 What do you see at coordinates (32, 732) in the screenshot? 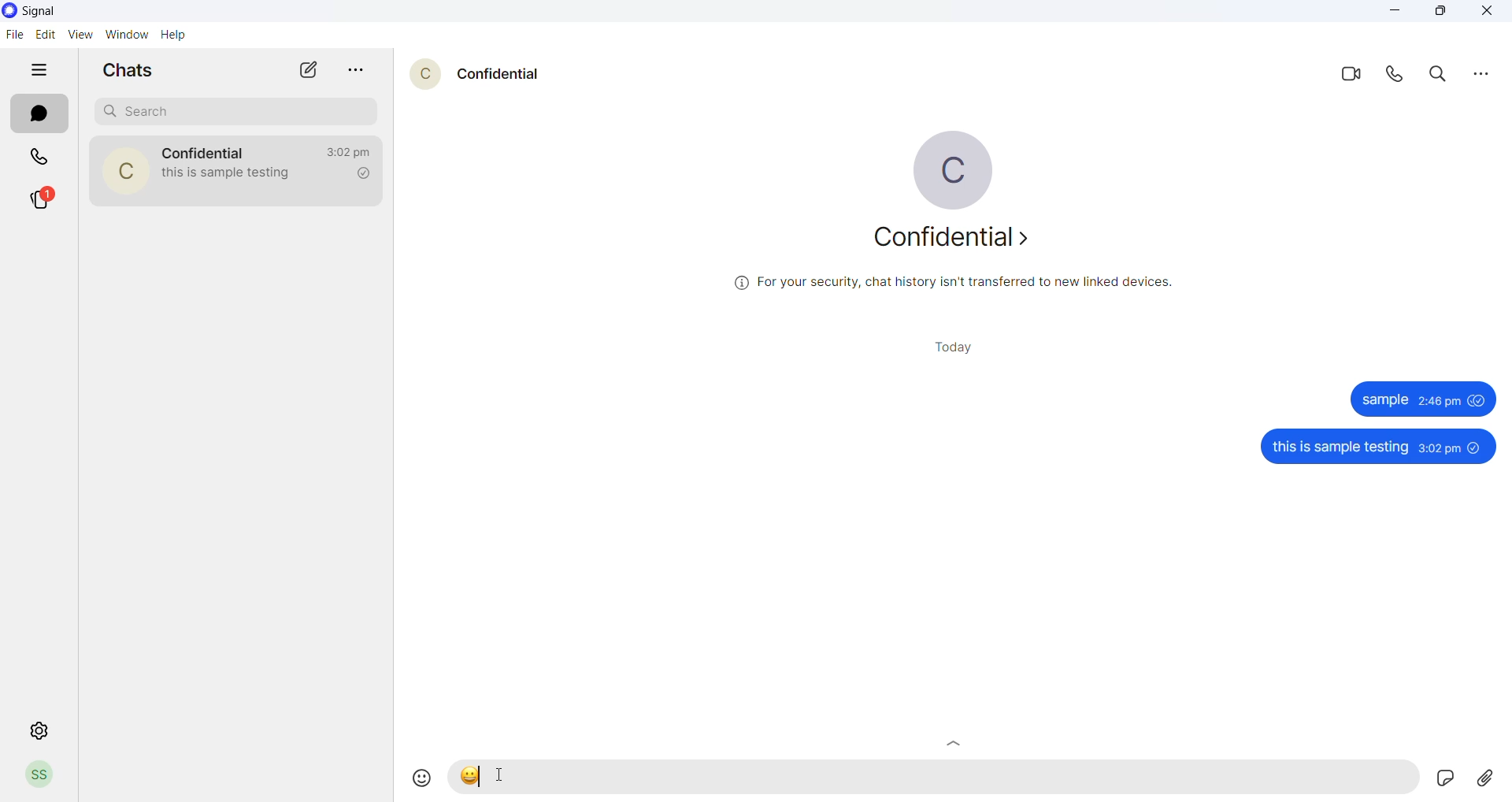
I see `settings` at bounding box center [32, 732].